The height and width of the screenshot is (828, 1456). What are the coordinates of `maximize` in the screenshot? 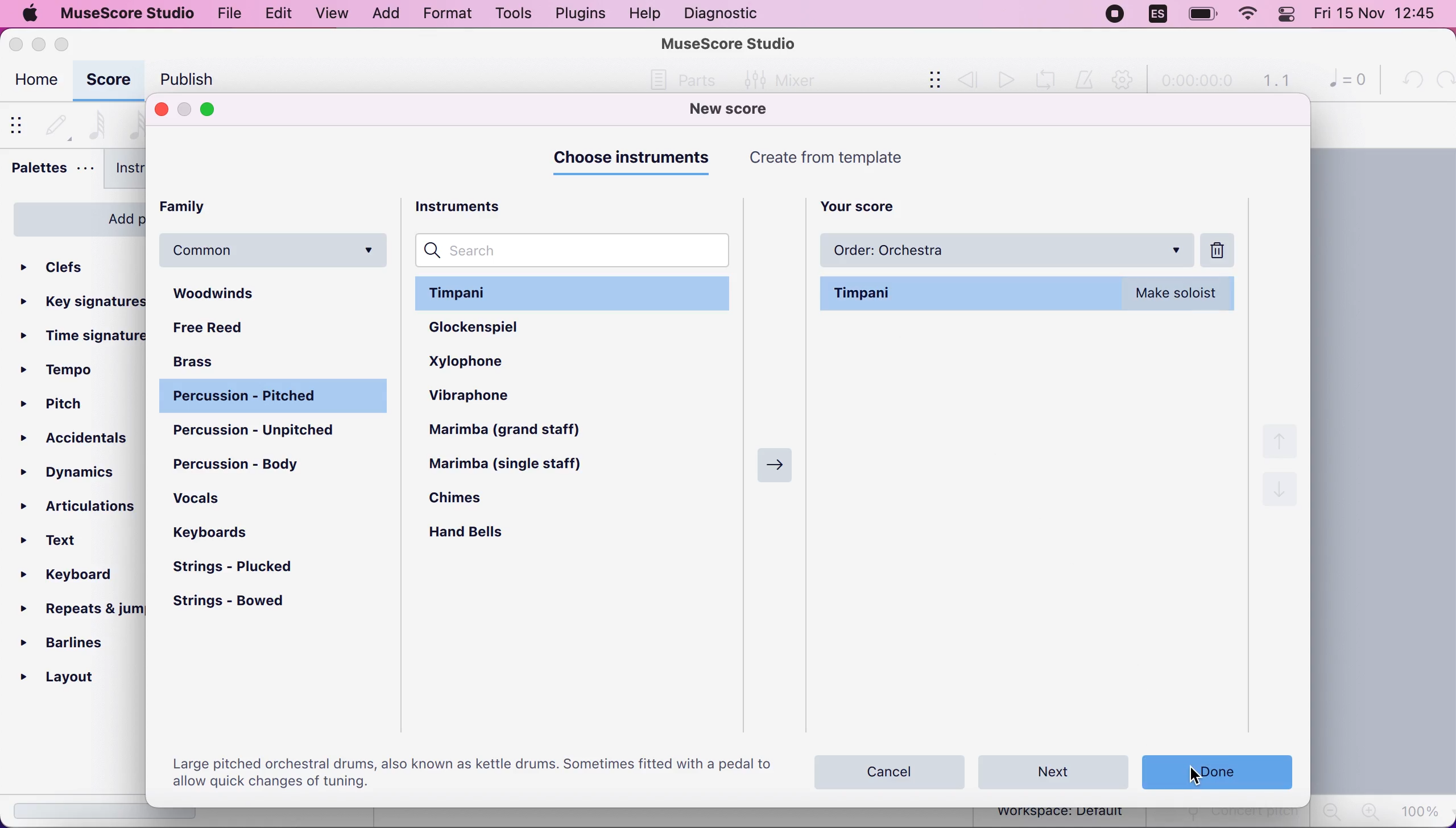 It's located at (67, 44).